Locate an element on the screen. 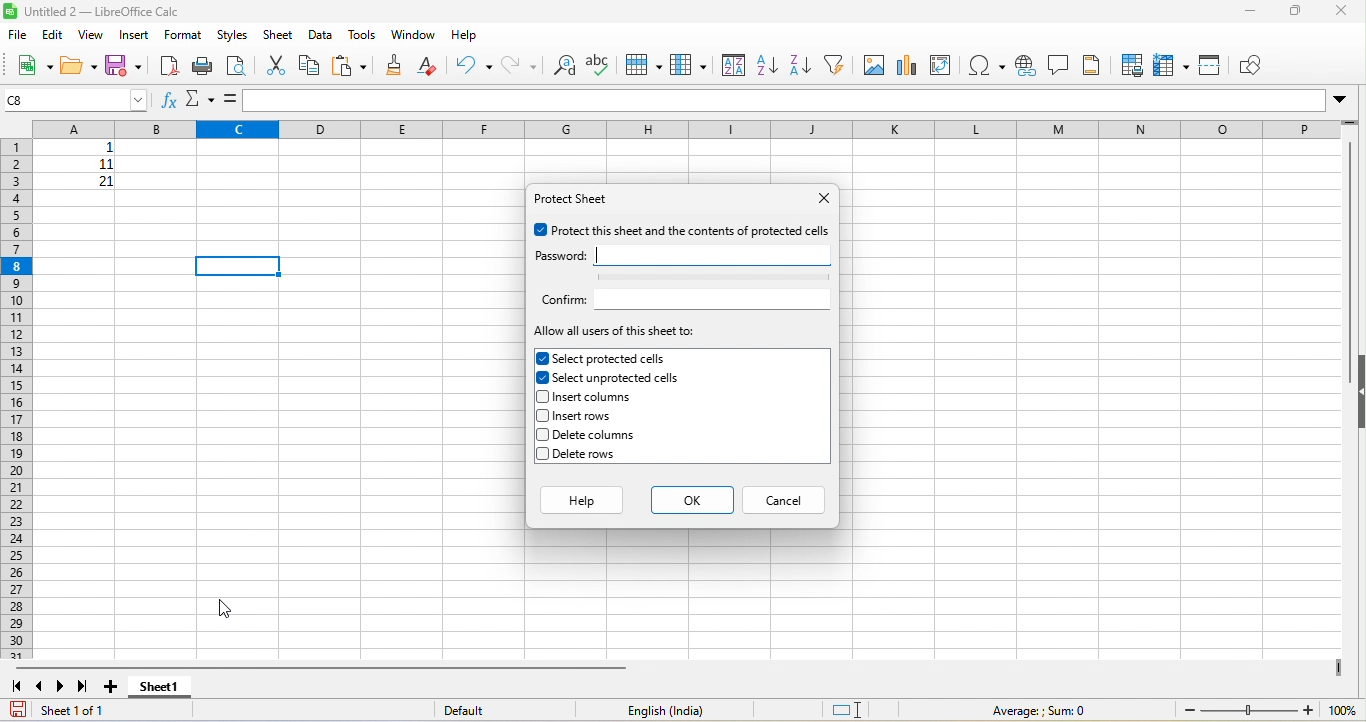 Image resolution: width=1366 pixels, height=722 pixels. close is located at coordinates (815, 199).